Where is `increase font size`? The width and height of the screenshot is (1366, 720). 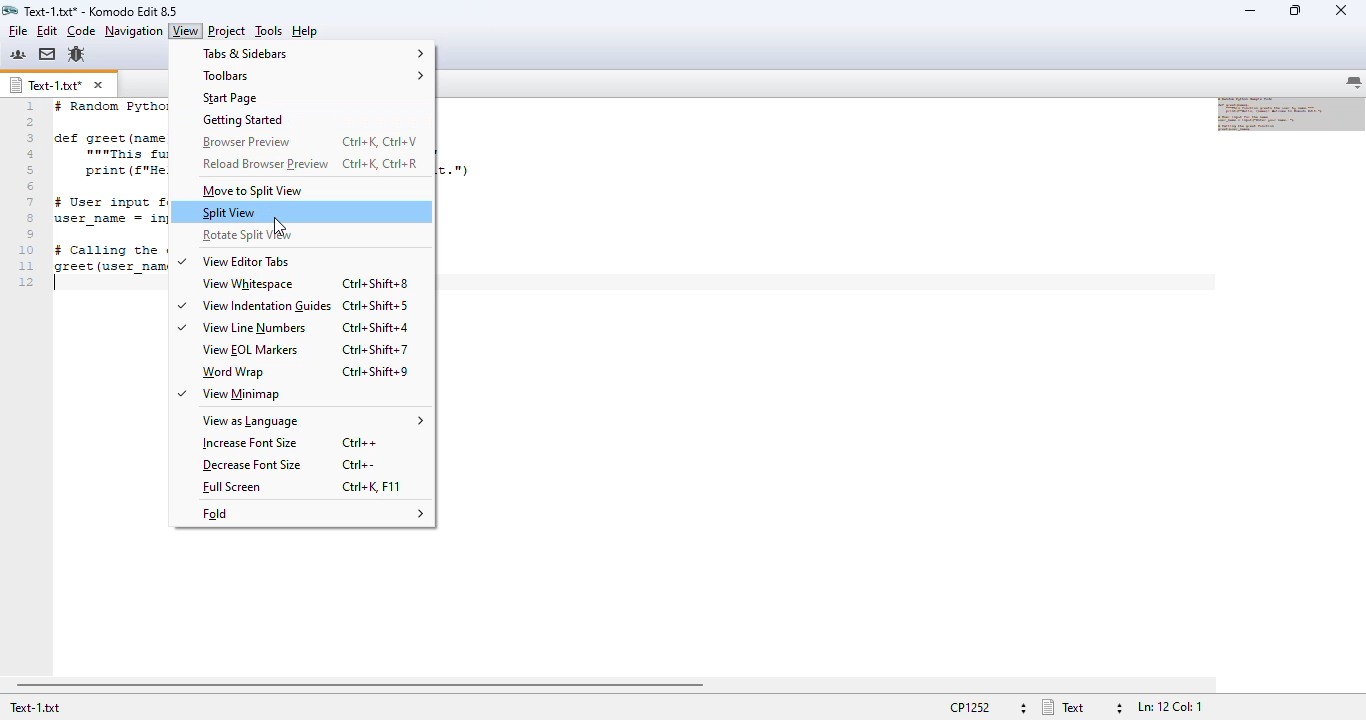 increase font size is located at coordinates (251, 443).